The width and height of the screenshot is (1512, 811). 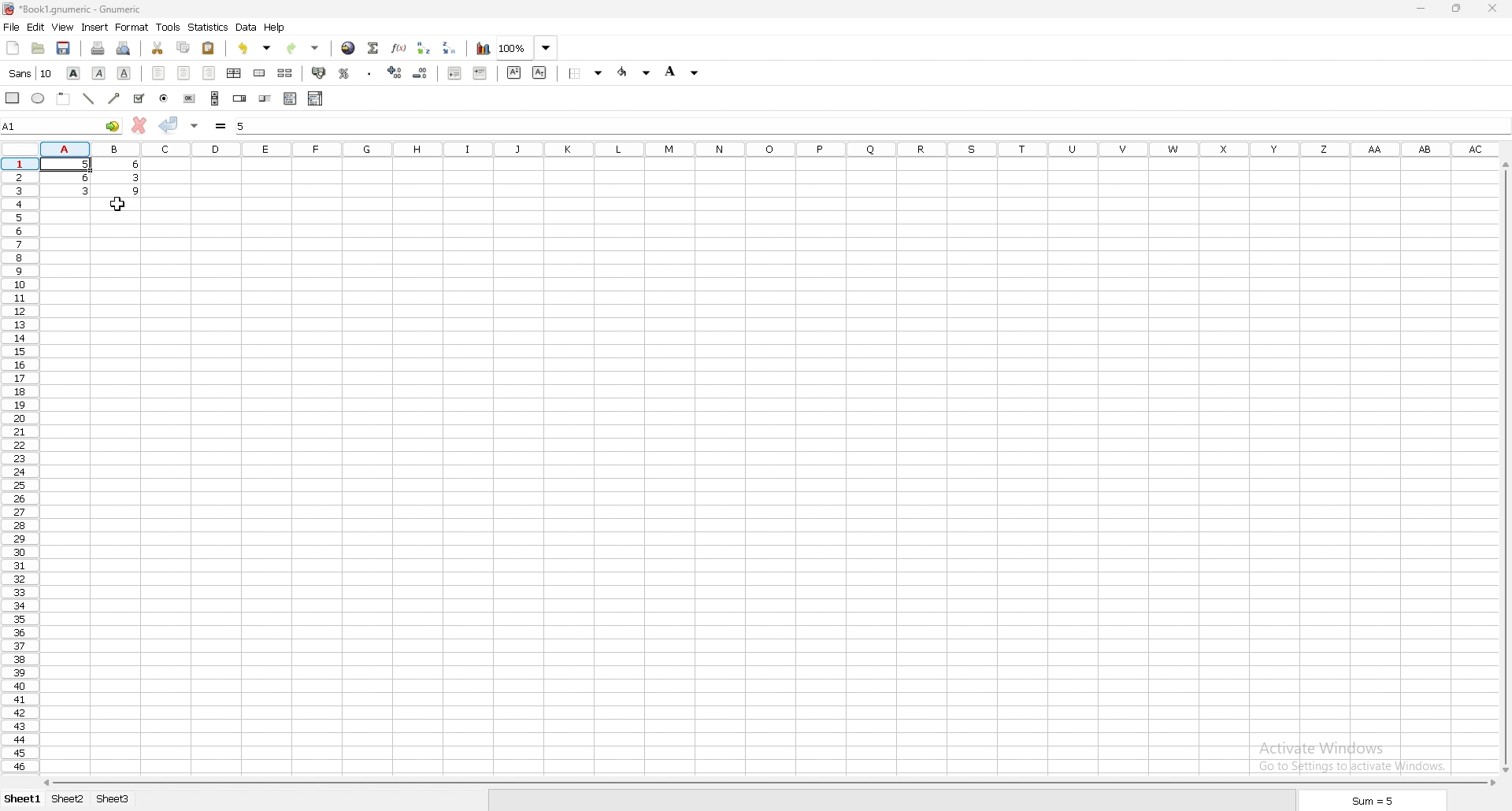 What do you see at coordinates (284, 73) in the screenshot?
I see `split merged cell` at bounding box center [284, 73].